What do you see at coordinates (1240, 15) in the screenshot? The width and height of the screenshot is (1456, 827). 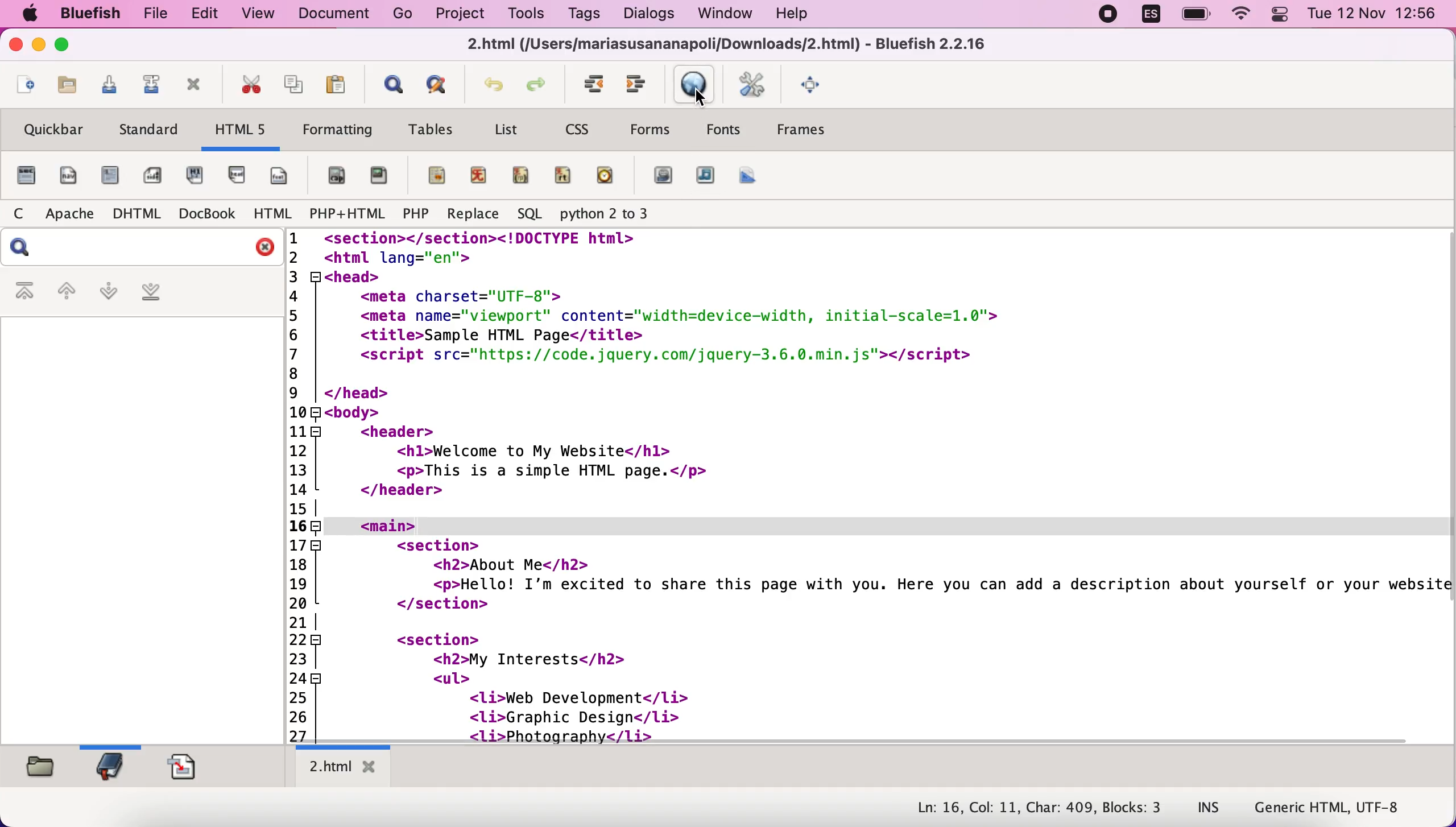 I see `wifi` at bounding box center [1240, 15].